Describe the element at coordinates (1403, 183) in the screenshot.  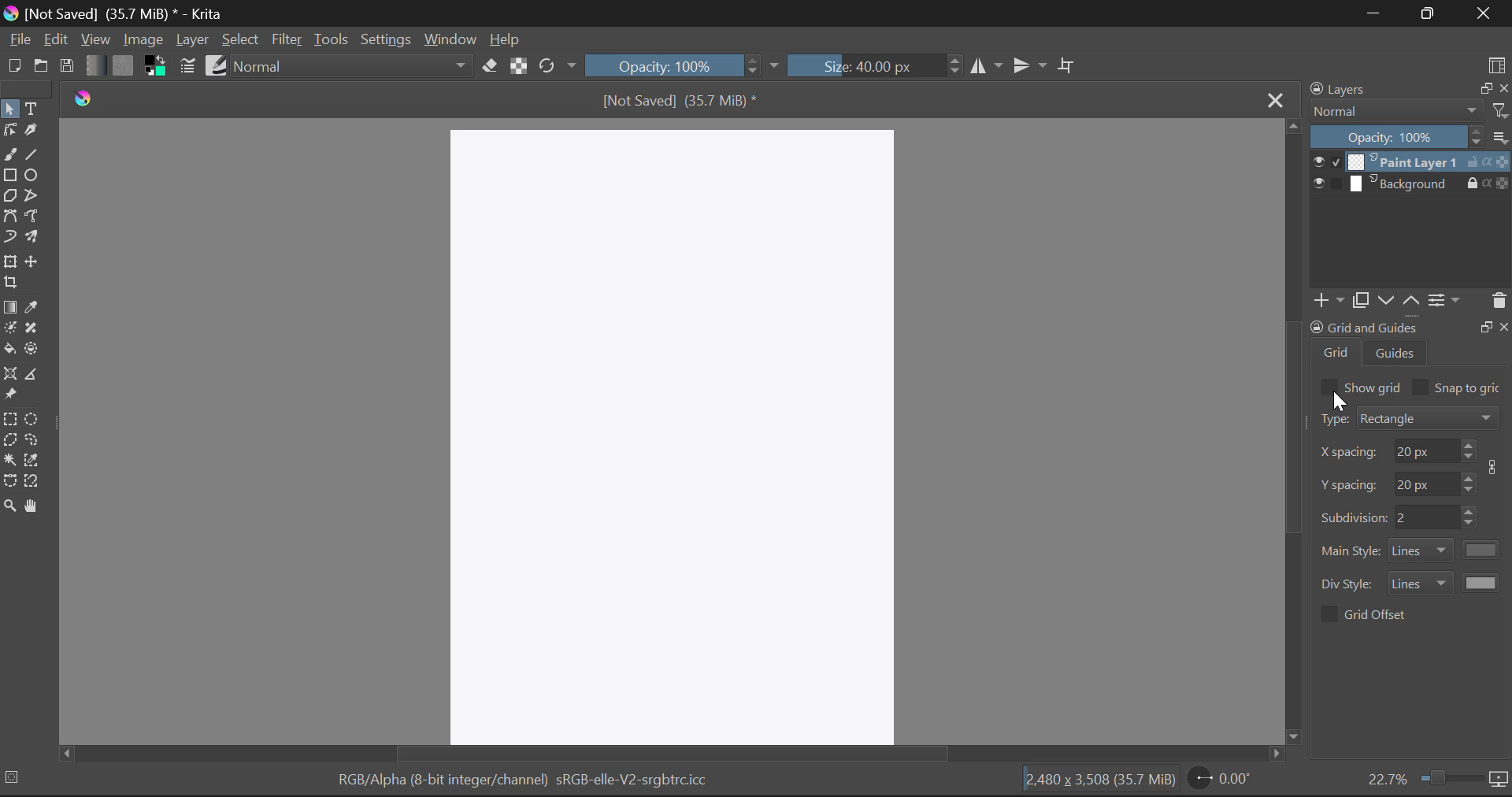
I see `layer 2` at that location.